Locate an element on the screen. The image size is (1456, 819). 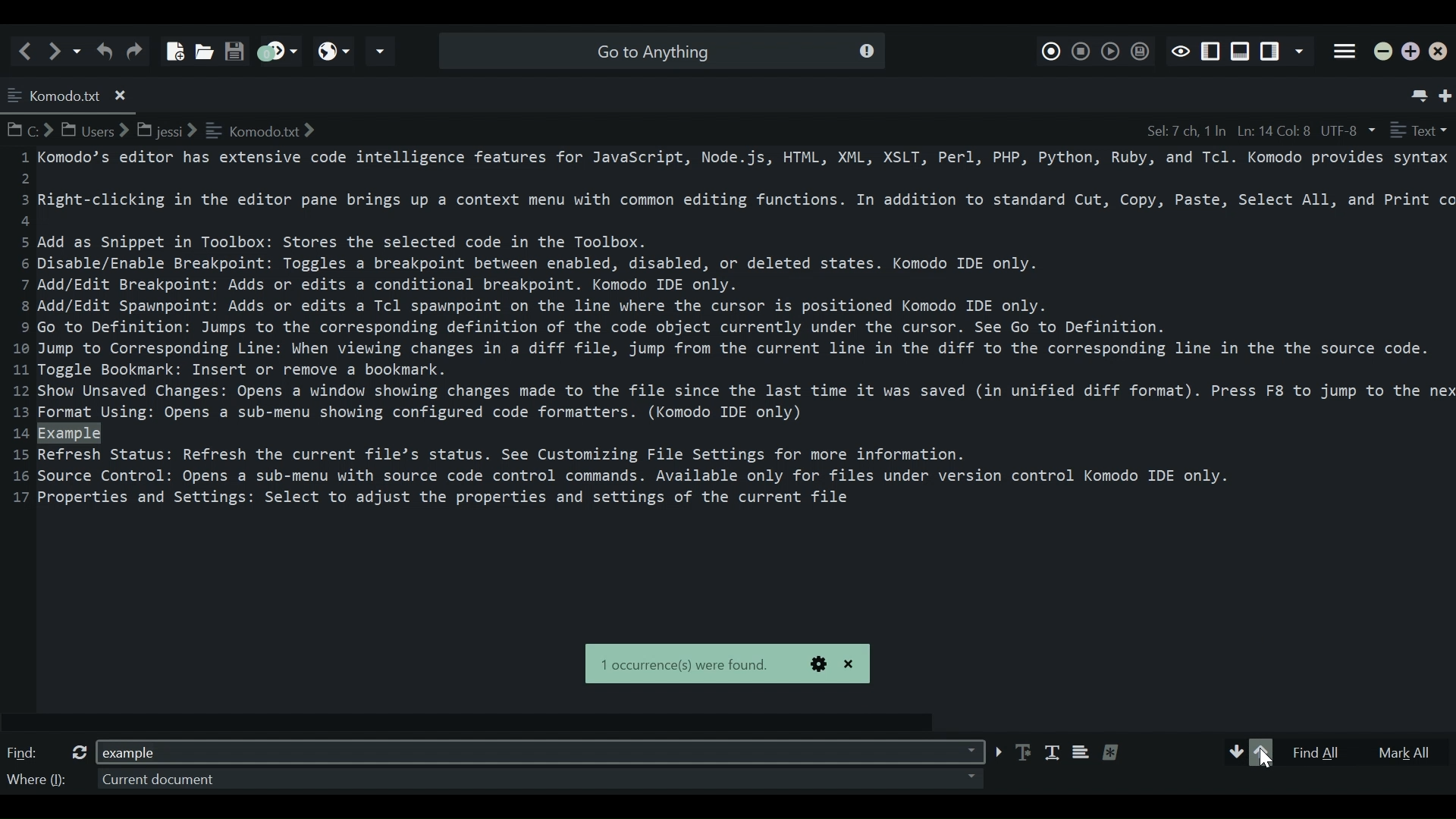
Use multiple lines is located at coordinates (1081, 755).